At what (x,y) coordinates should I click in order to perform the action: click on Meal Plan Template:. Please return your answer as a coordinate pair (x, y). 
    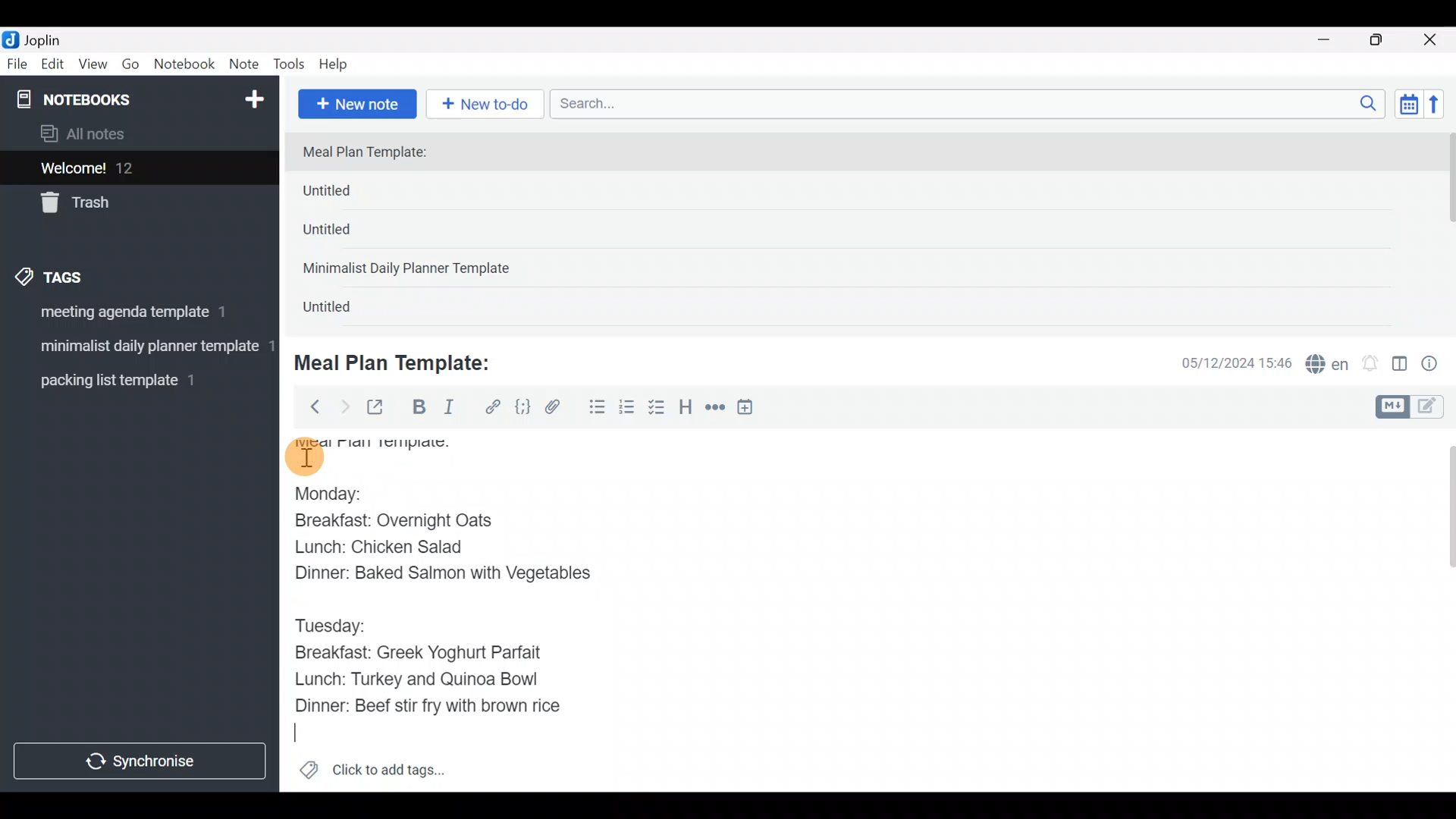
    Looking at the image, I should click on (374, 153).